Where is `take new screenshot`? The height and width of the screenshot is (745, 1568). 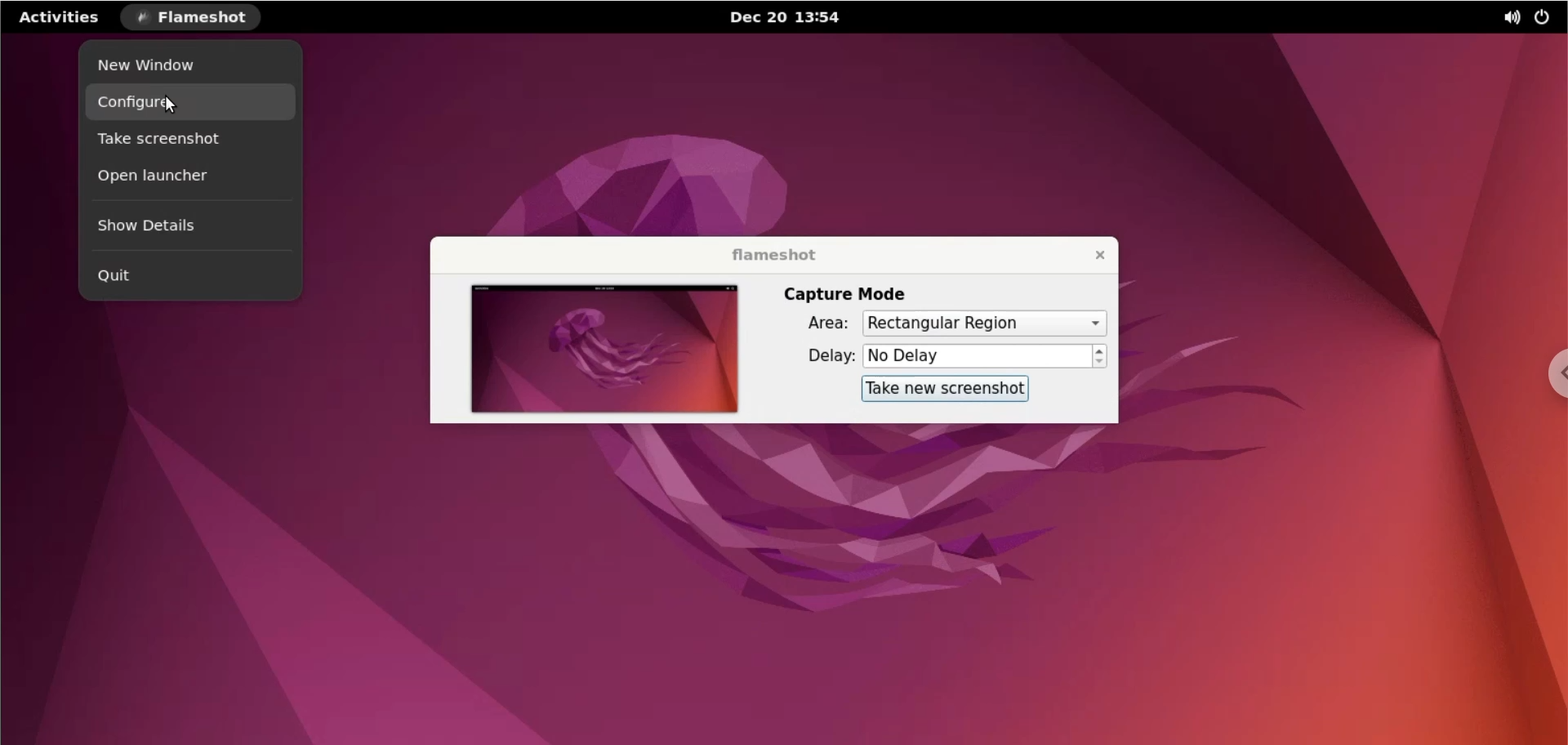
take new screenshot is located at coordinates (942, 390).